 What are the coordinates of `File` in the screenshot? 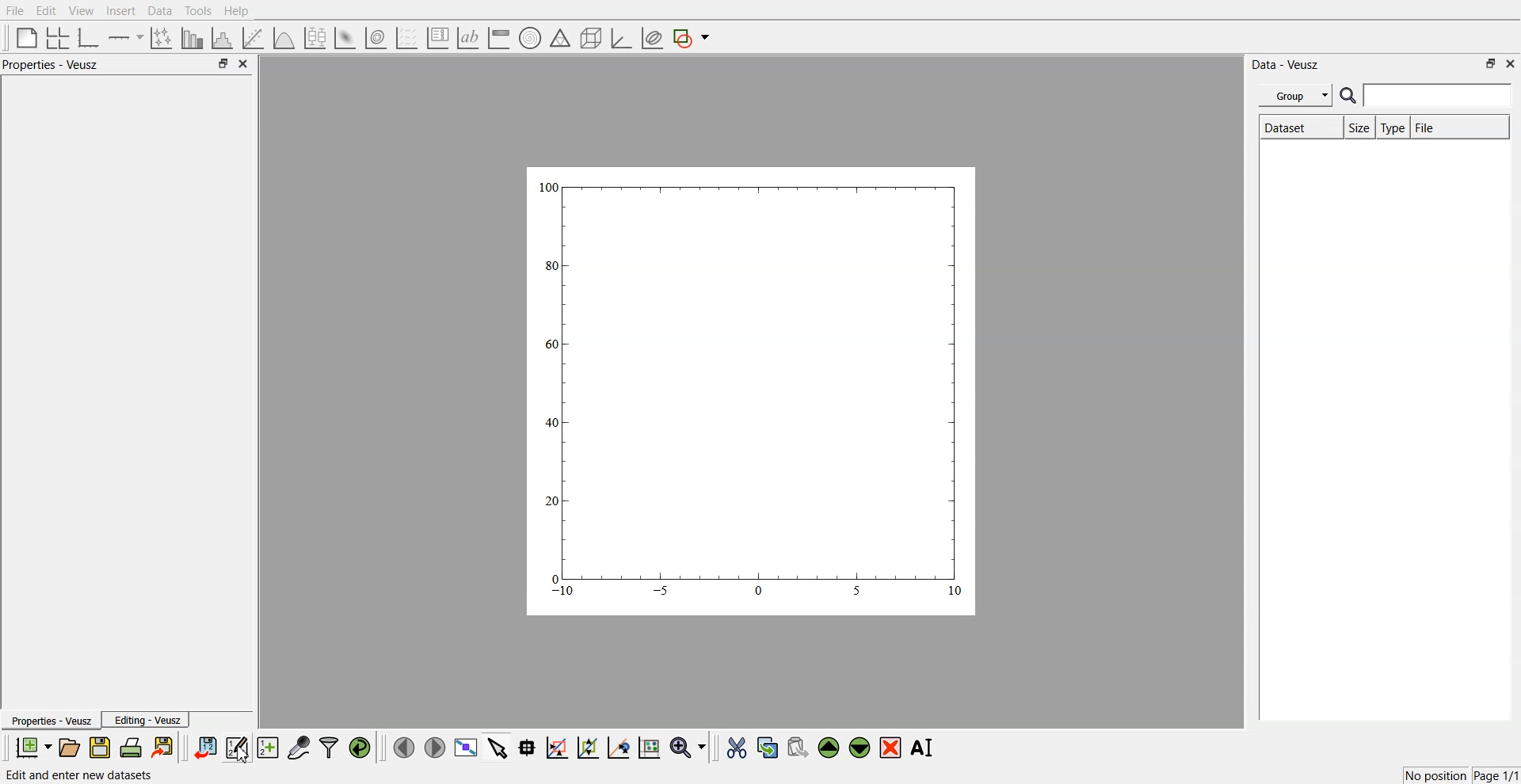 It's located at (16, 11).